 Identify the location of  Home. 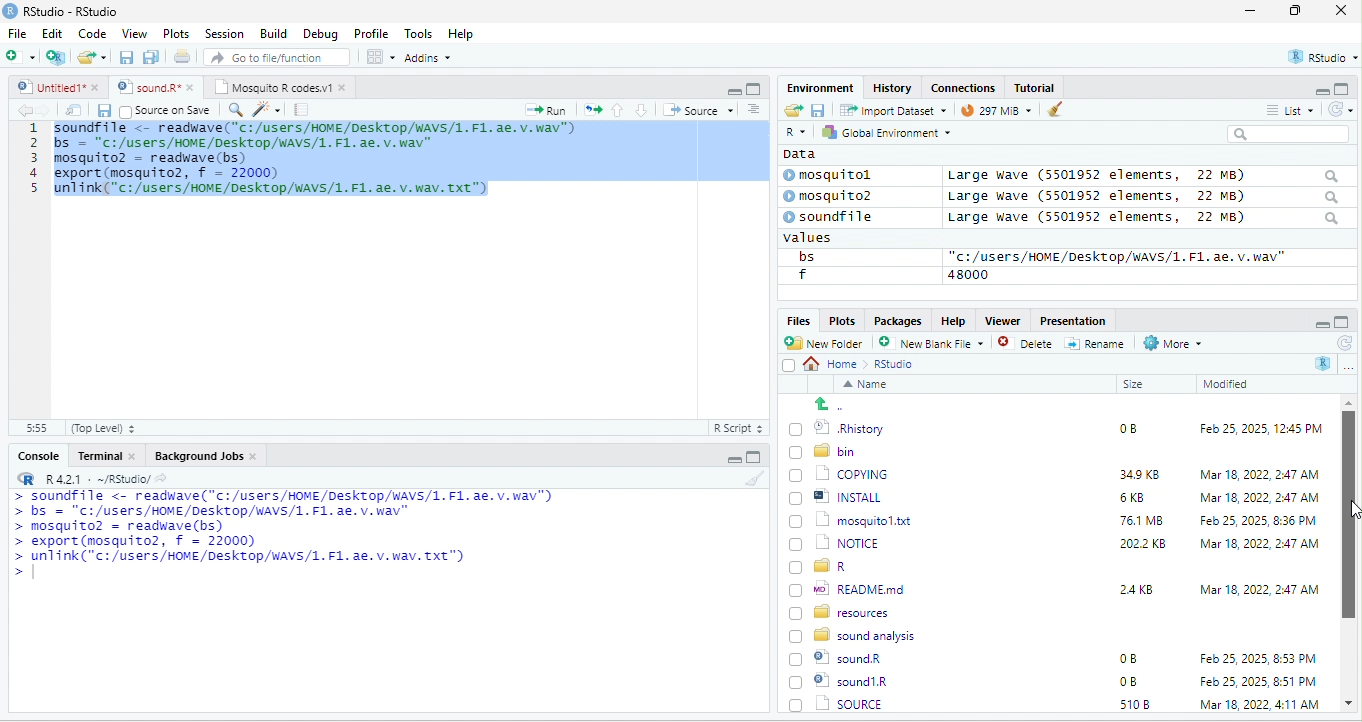
(836, 363).